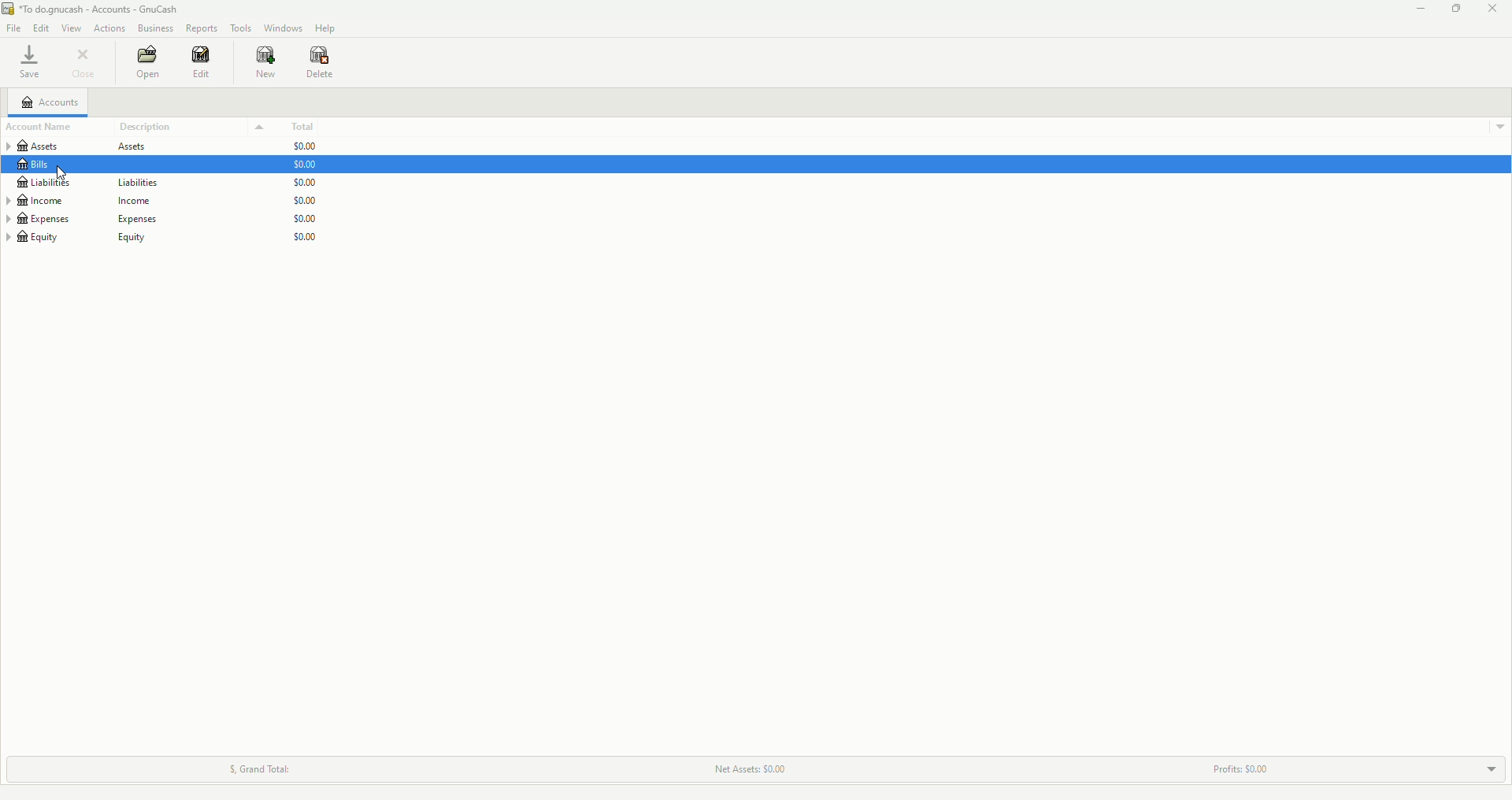  Describe the element at coordinates (44, 29) in the screenshot. I see `Edit` at that location.